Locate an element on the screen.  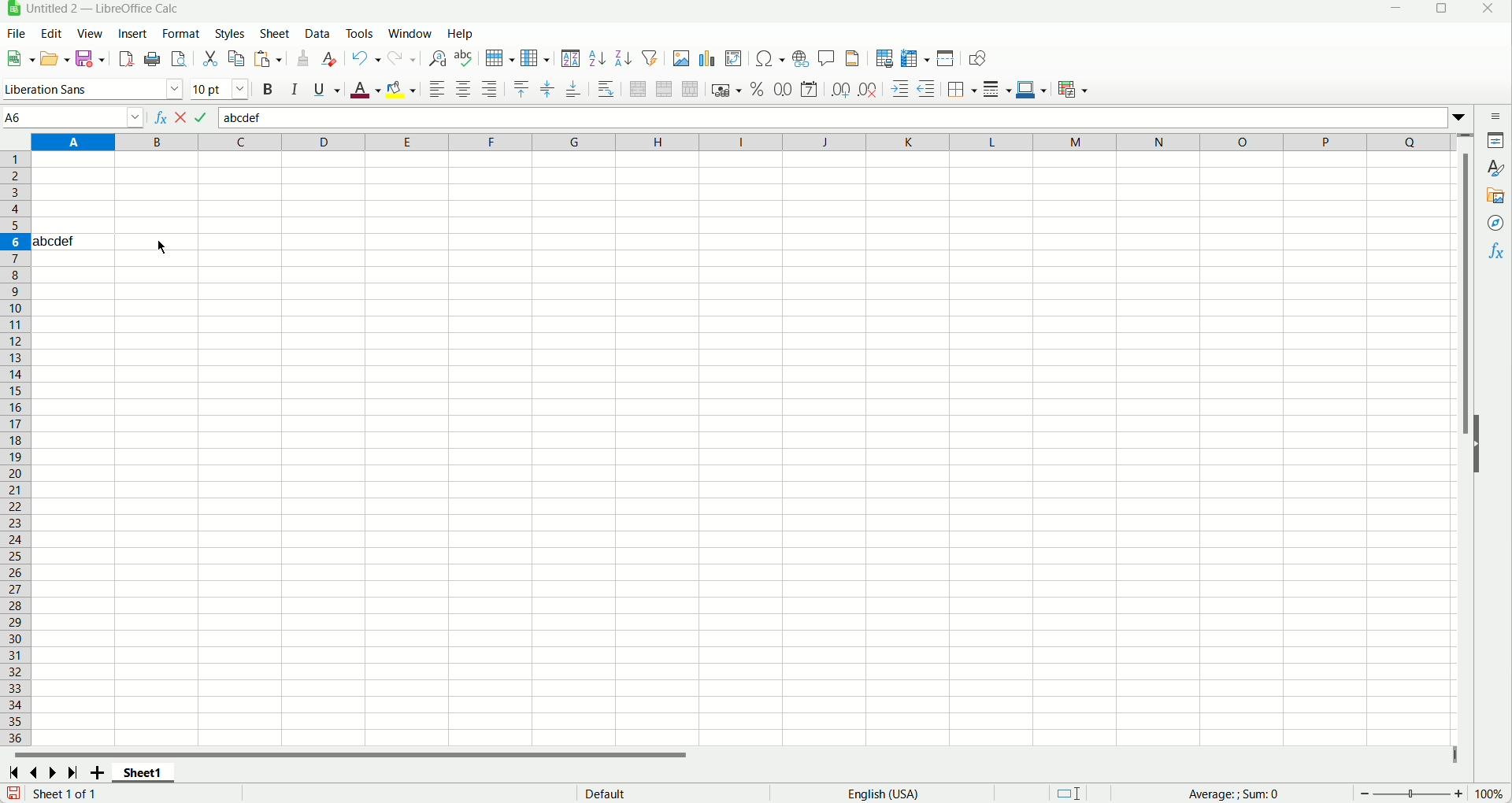
sheet is located at coordinates (275, 32).